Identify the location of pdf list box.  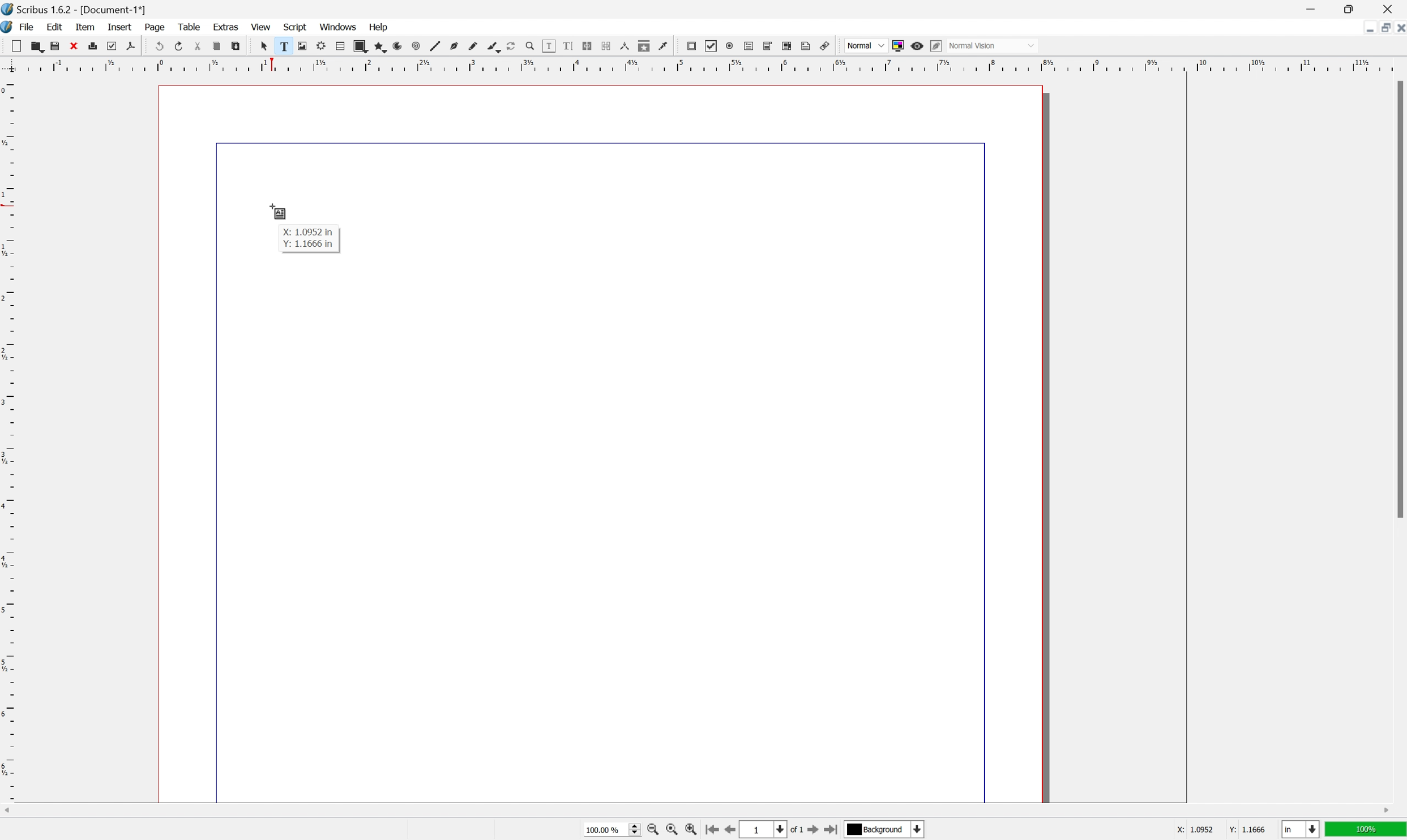
(786, 45).